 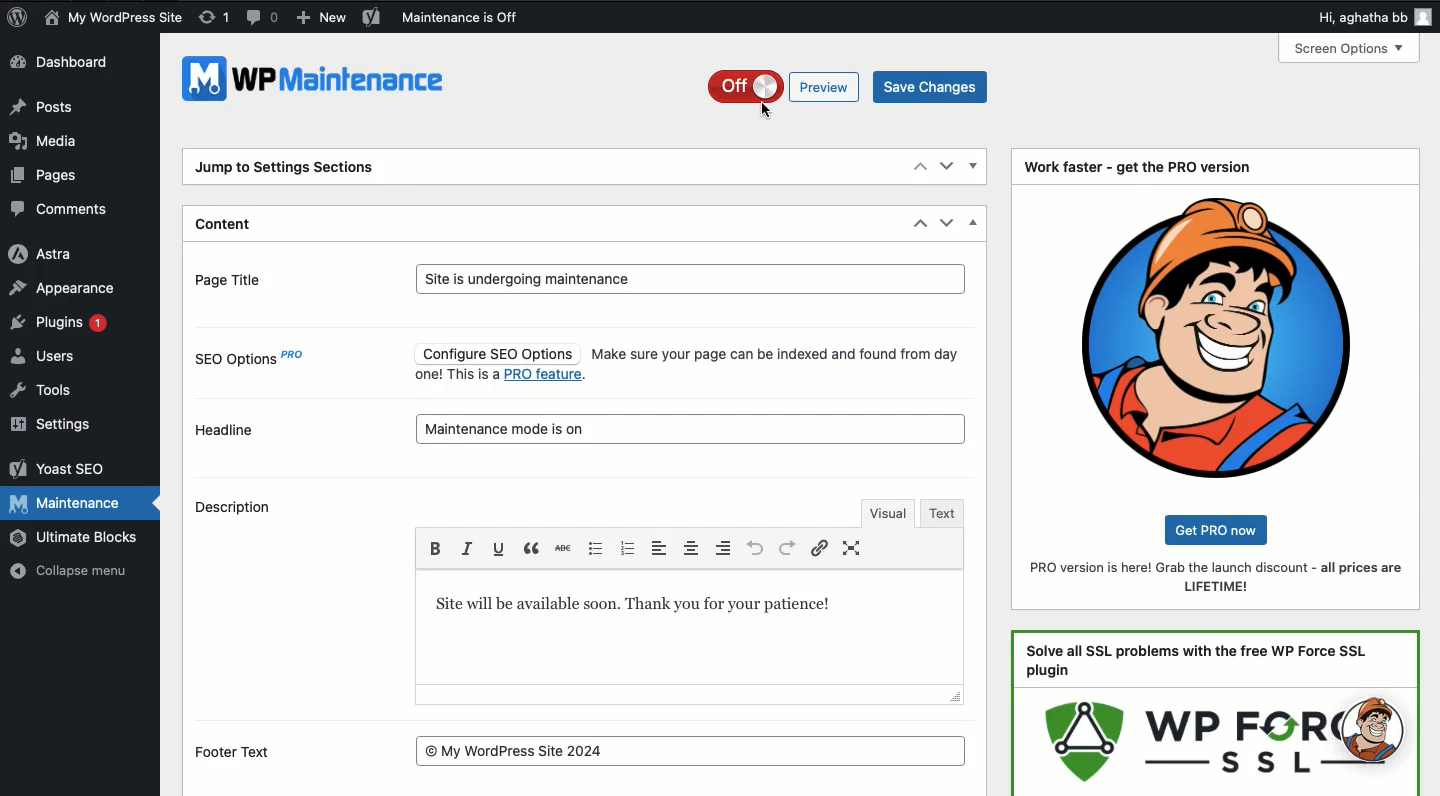 What do you see at coordinates (467, 17) in the screenshot?
I see `Maintenance is off` at bounding box center [467, 17].